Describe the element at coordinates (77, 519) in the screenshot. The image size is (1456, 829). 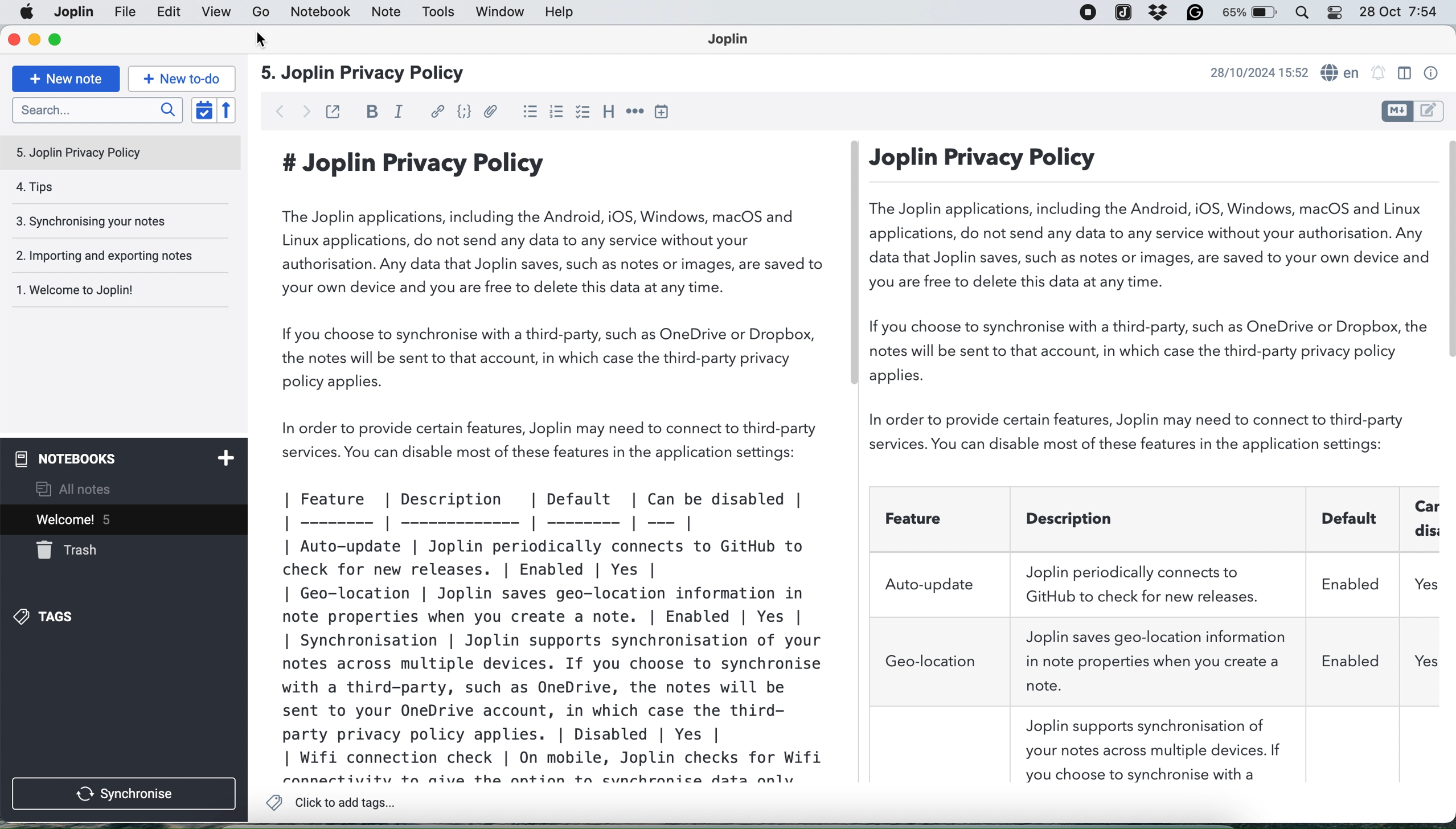
I see `current open note` at that location.